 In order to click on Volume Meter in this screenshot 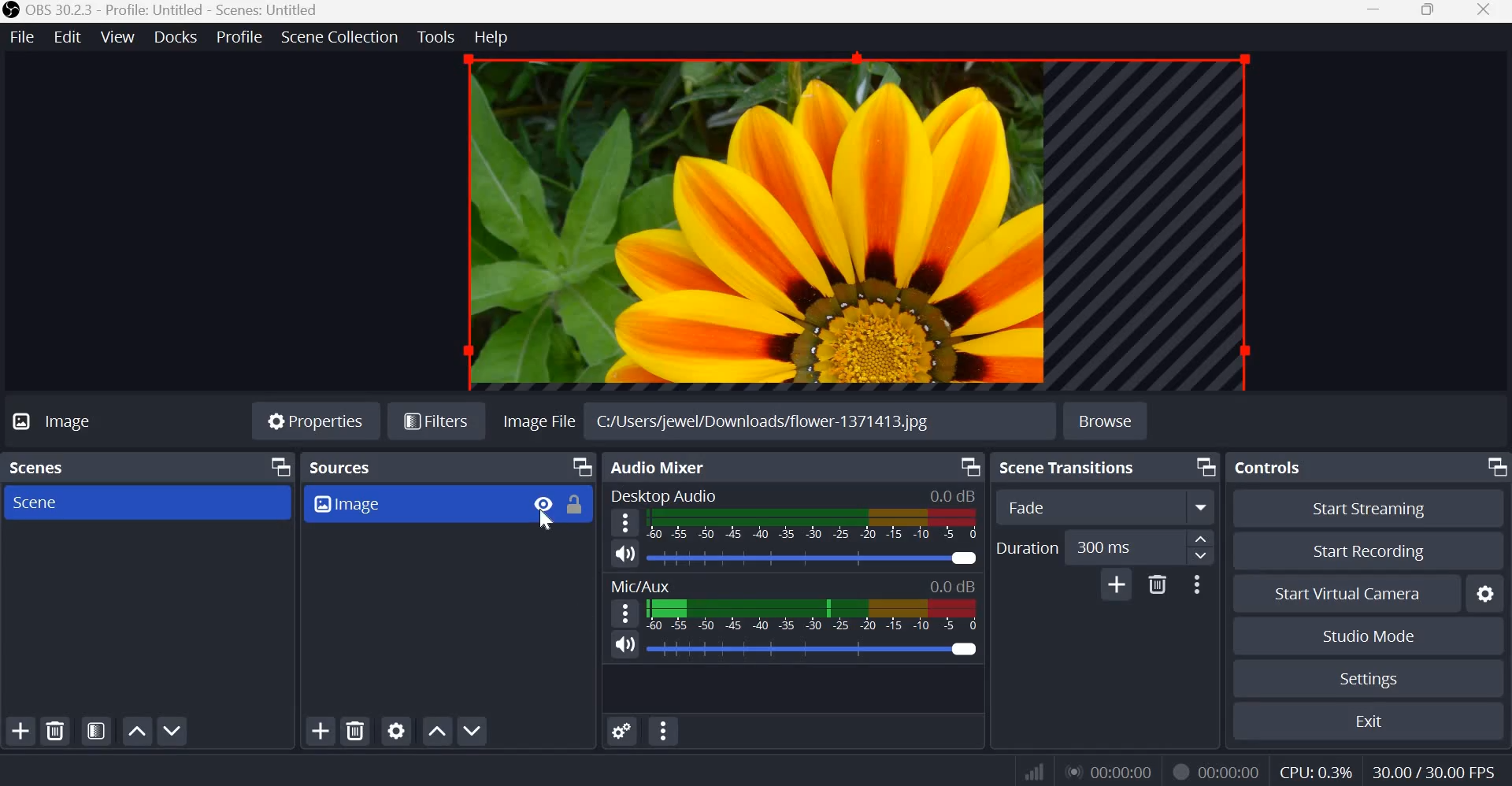, I will do `click(812, 614)`.